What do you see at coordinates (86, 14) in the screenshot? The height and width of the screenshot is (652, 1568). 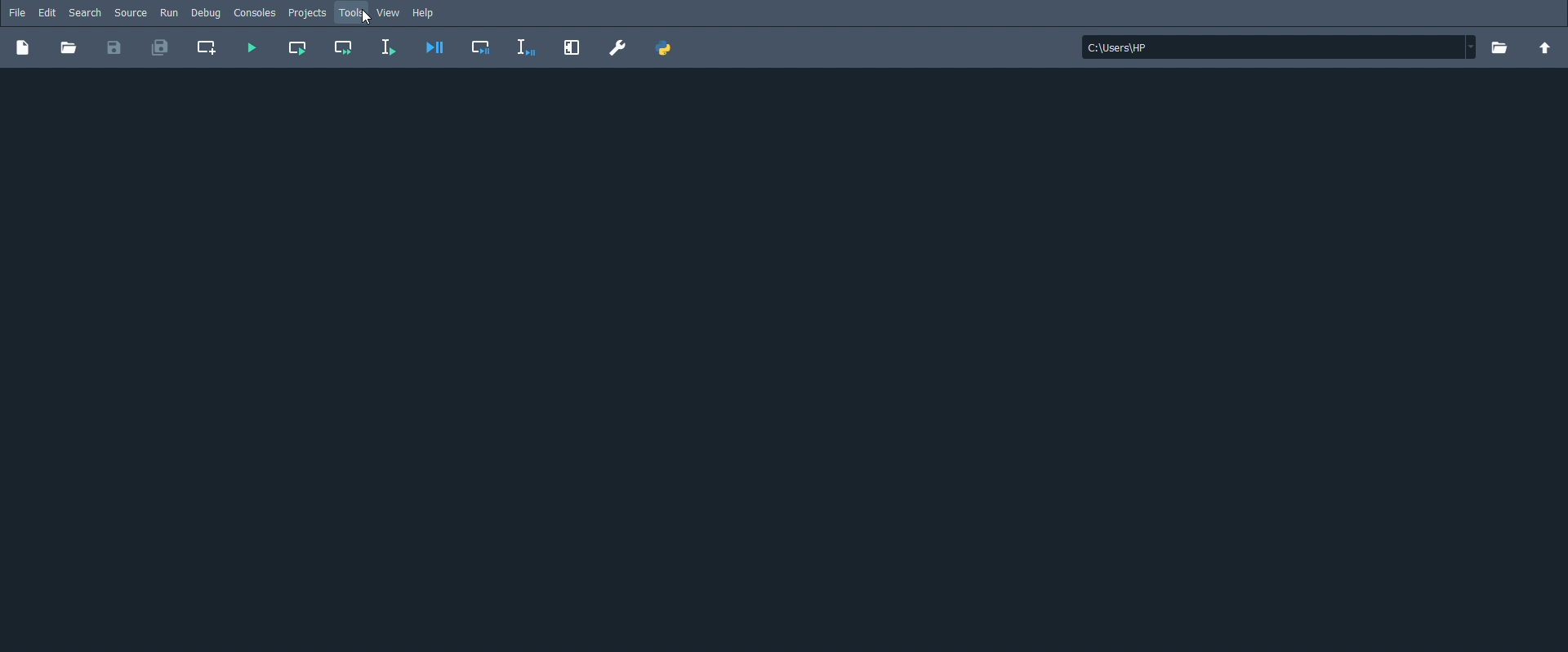 I see `Search` at bounding box center [86, 14].